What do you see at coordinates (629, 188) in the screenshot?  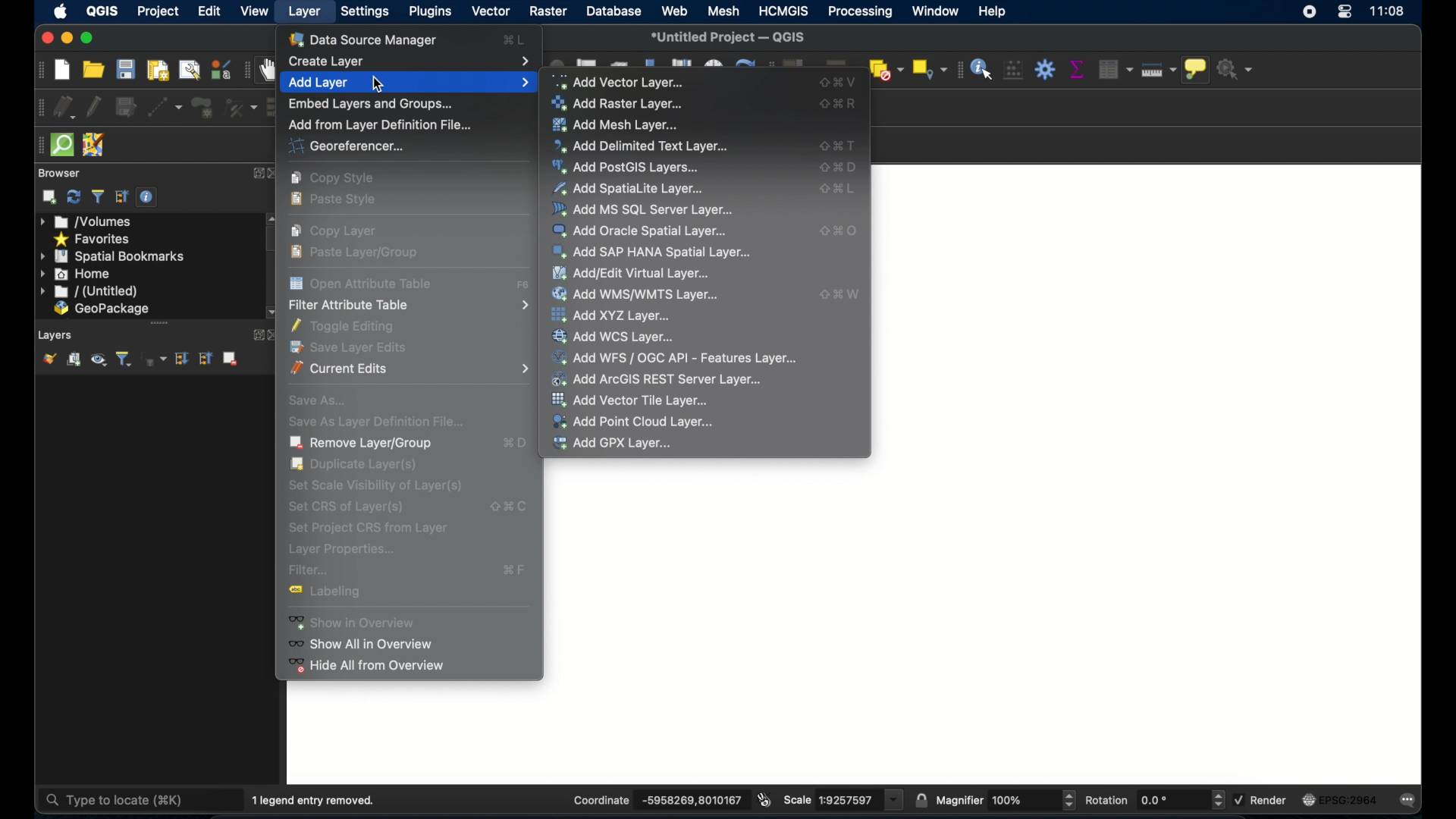 I see `add spatiallite layer` at bounding box center [629, 188].